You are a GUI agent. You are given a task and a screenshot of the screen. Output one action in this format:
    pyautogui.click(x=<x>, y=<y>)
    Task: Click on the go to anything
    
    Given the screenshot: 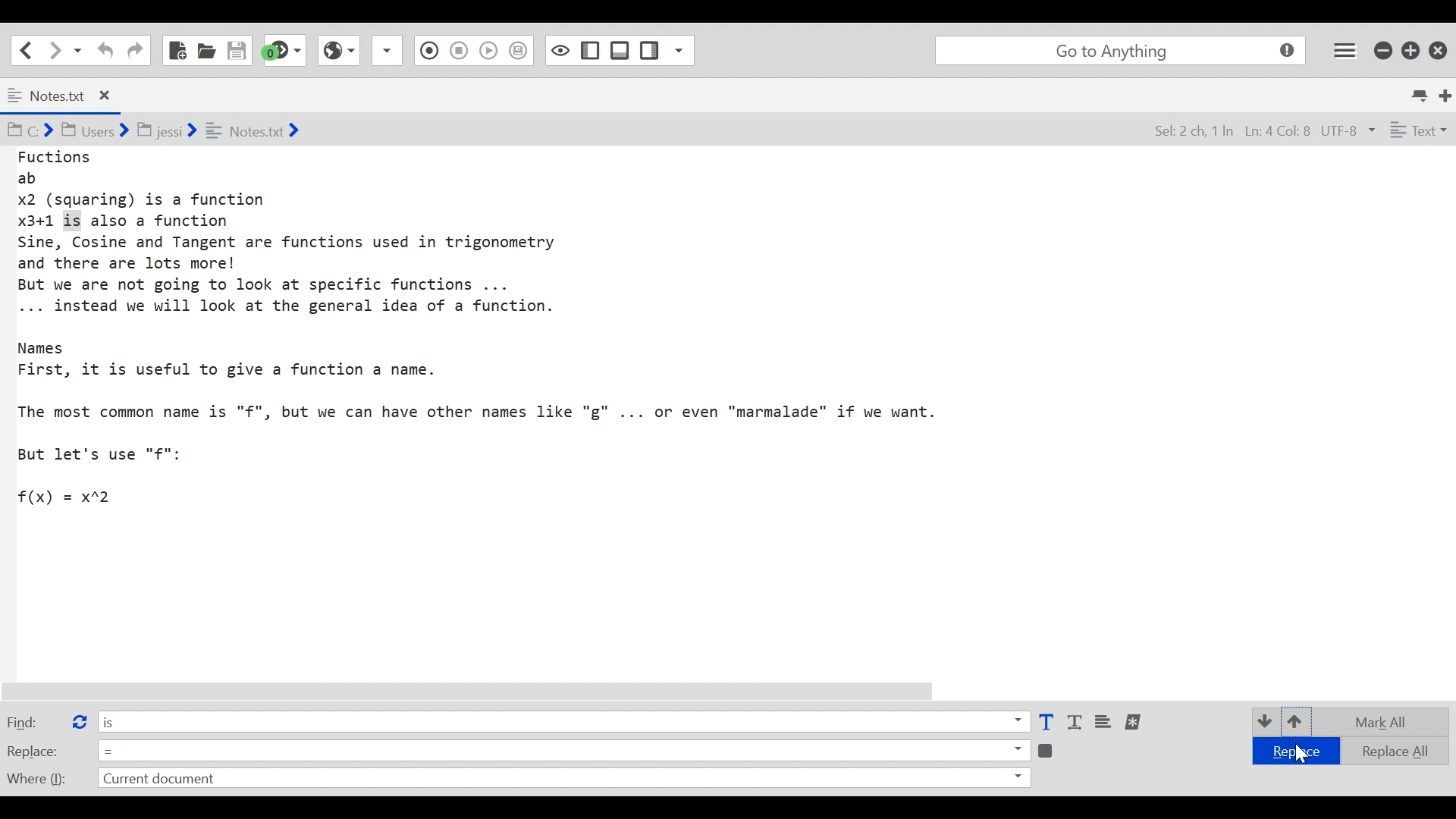 What is the action you would take?
    pyautogui.click(x=1124, y=51)
    